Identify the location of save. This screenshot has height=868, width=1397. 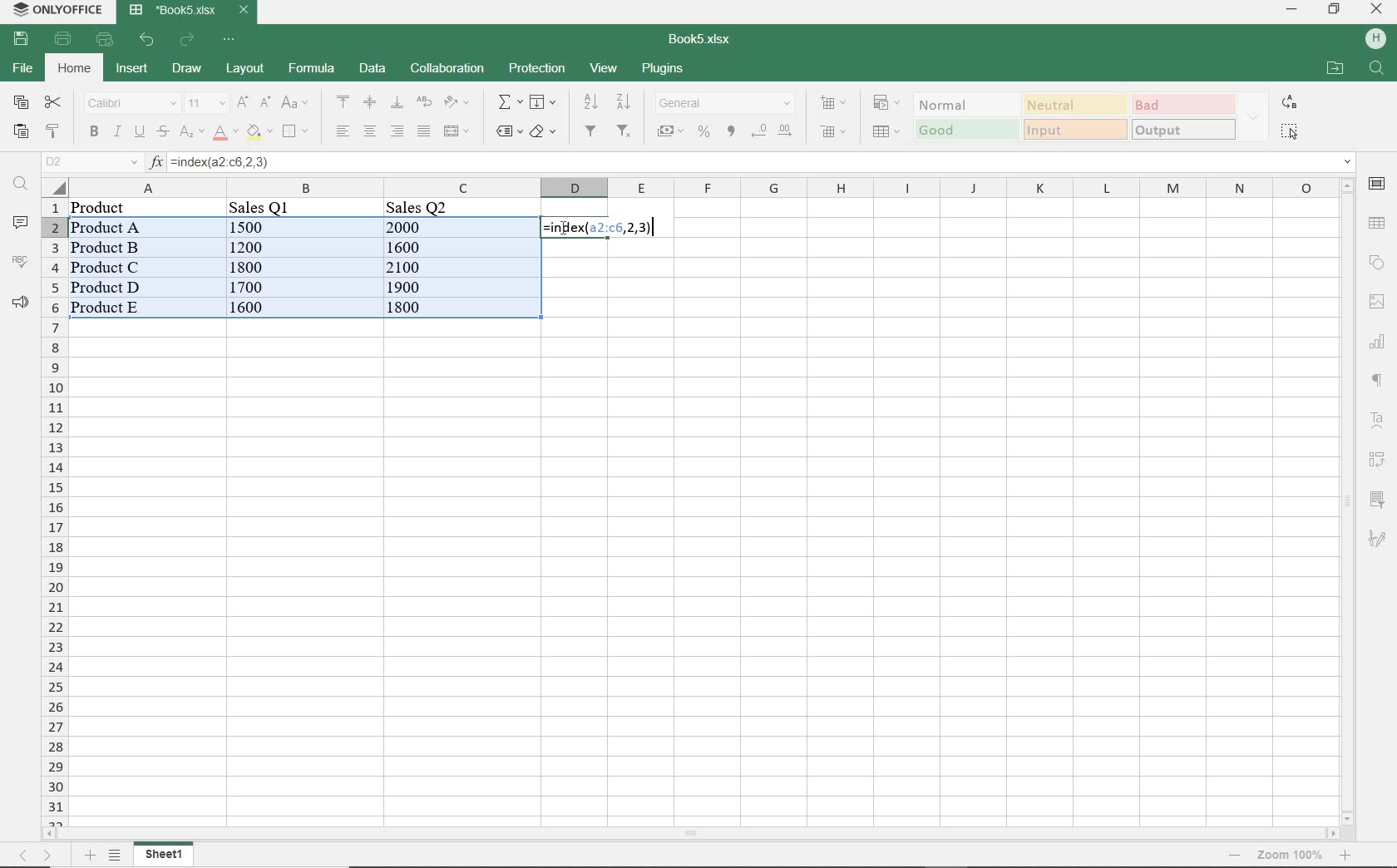
(20, 37).